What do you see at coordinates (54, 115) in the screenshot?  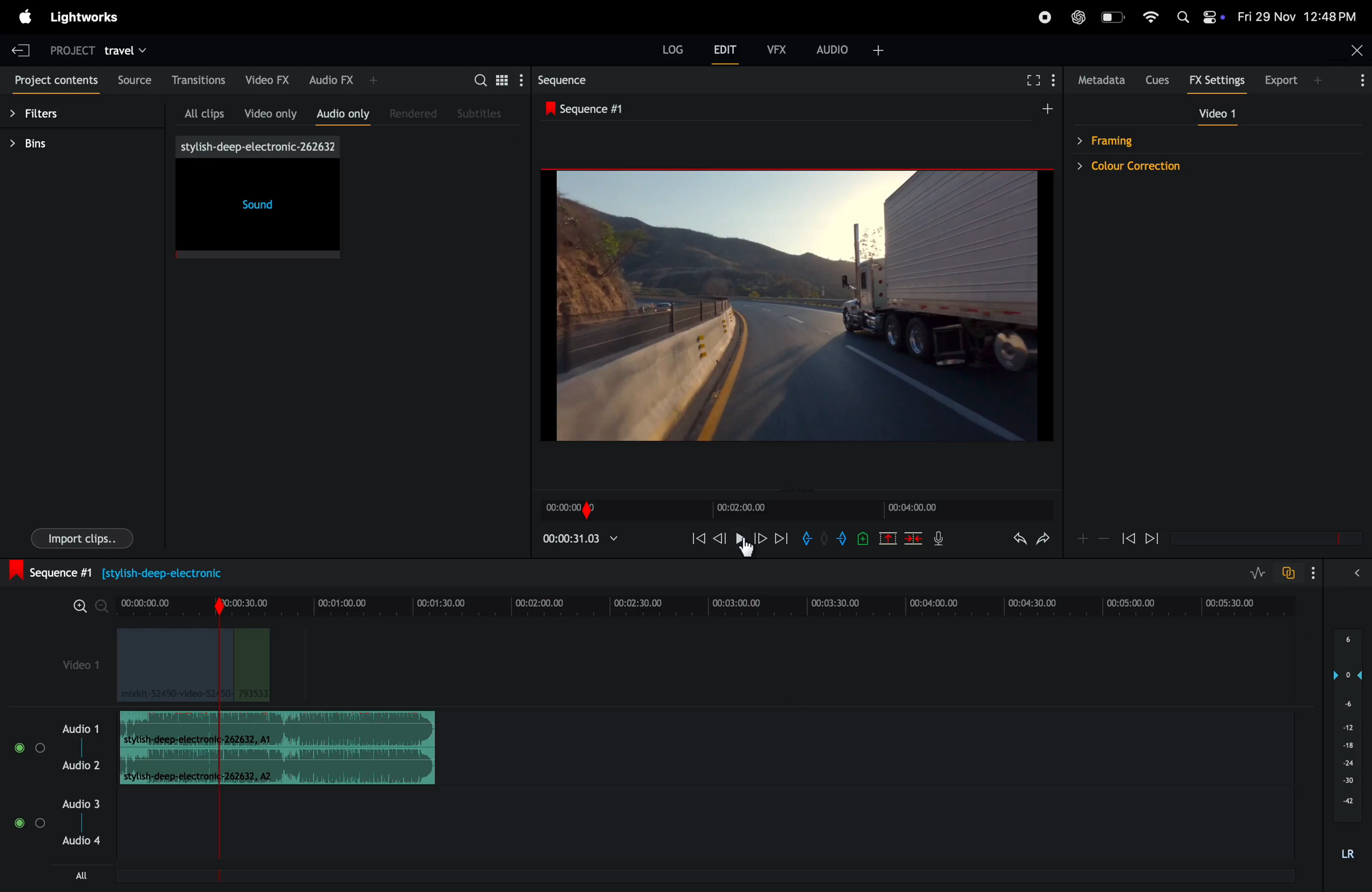 I see `filters` at bounding box center [54, 115].